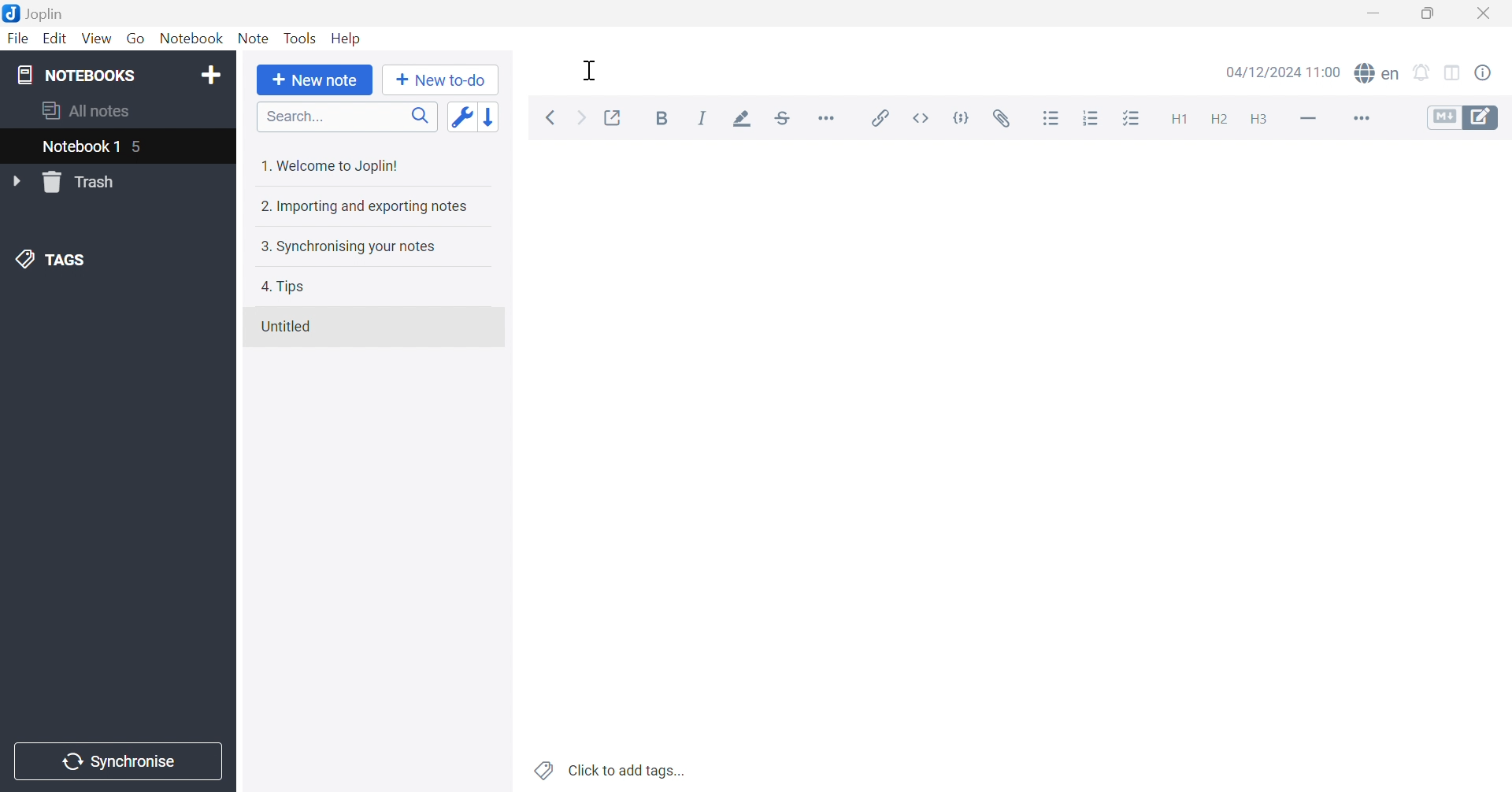 This screenshot has width=1512, height=792. What do you see at coordinates (1007, 120) in the screenshot?
I see `Attach file` at bounding box center [1007, 120].